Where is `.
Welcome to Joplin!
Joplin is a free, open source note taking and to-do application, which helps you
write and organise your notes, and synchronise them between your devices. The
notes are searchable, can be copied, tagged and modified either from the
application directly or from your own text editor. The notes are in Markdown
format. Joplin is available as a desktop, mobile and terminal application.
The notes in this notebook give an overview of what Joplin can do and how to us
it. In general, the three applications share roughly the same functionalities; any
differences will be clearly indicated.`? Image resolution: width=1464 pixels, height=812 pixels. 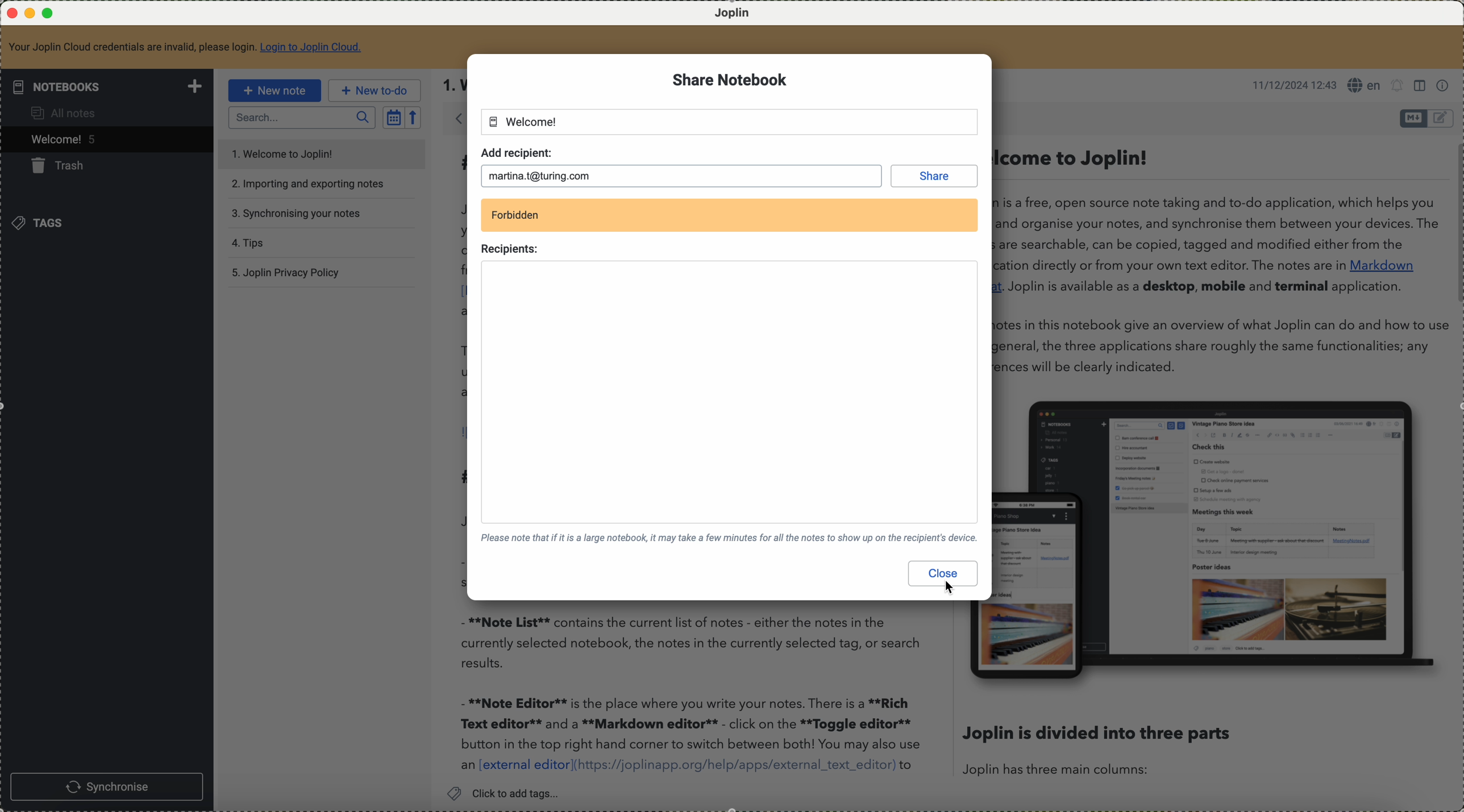
.
Welcome to Joplin!
Joplin is a free, open source note taking and to-do application, which helps you
write and organise your notes, and synchronise them between your devices. The
notes are searchable, can be copied, tagged and modified either from the
application directly or from your own text editor. The notes are in Markdown
format. Joplin is available as a desktop, mobile and terminal application.
The notes in this notebook give an overview of what Joplin can do and how to us
it. In general, the three applications share roughly the same functionalities; any
differences will be clearly indicated. is located at coordinates (1216, 261).